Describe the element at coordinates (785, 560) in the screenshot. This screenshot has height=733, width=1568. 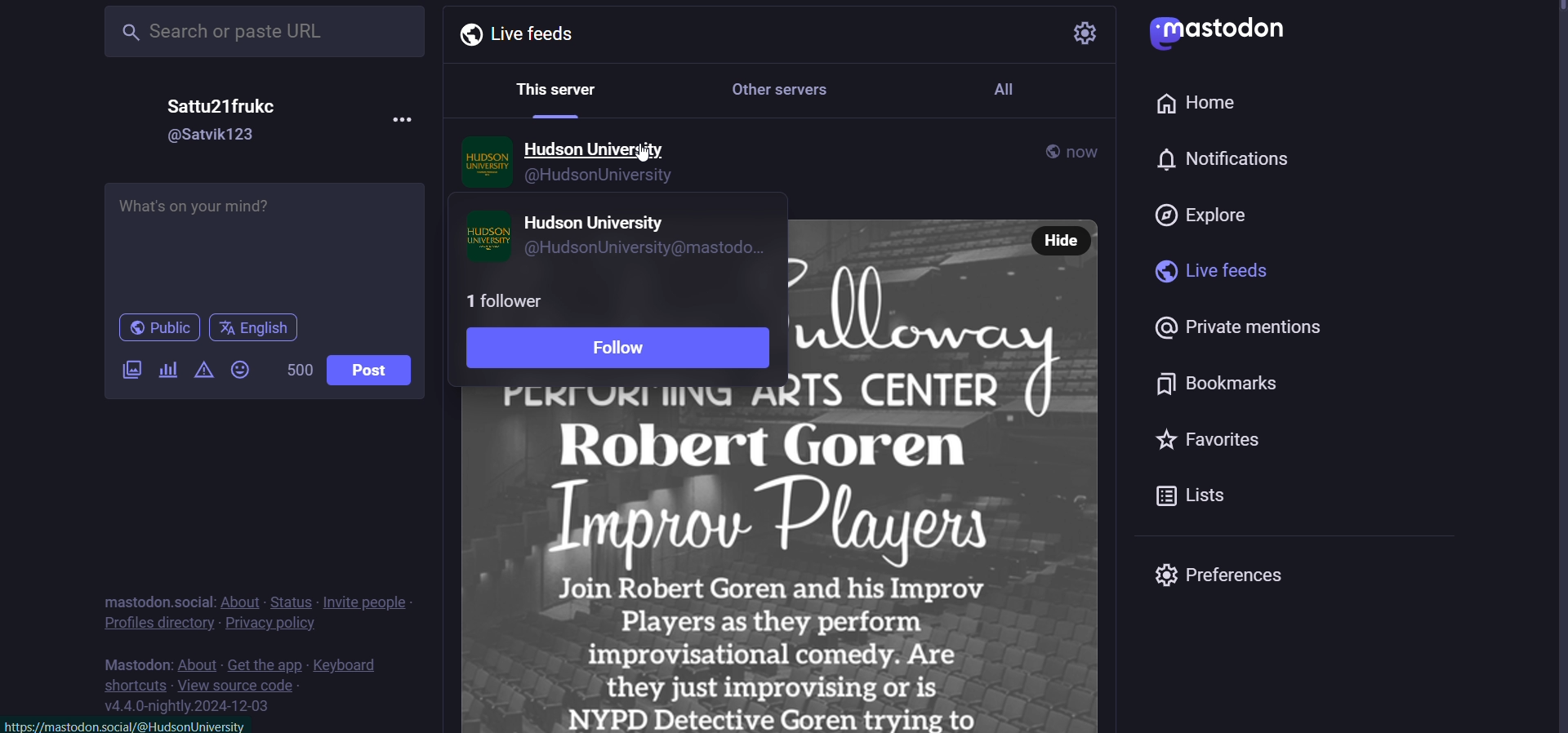
I see `post picture` at that location.